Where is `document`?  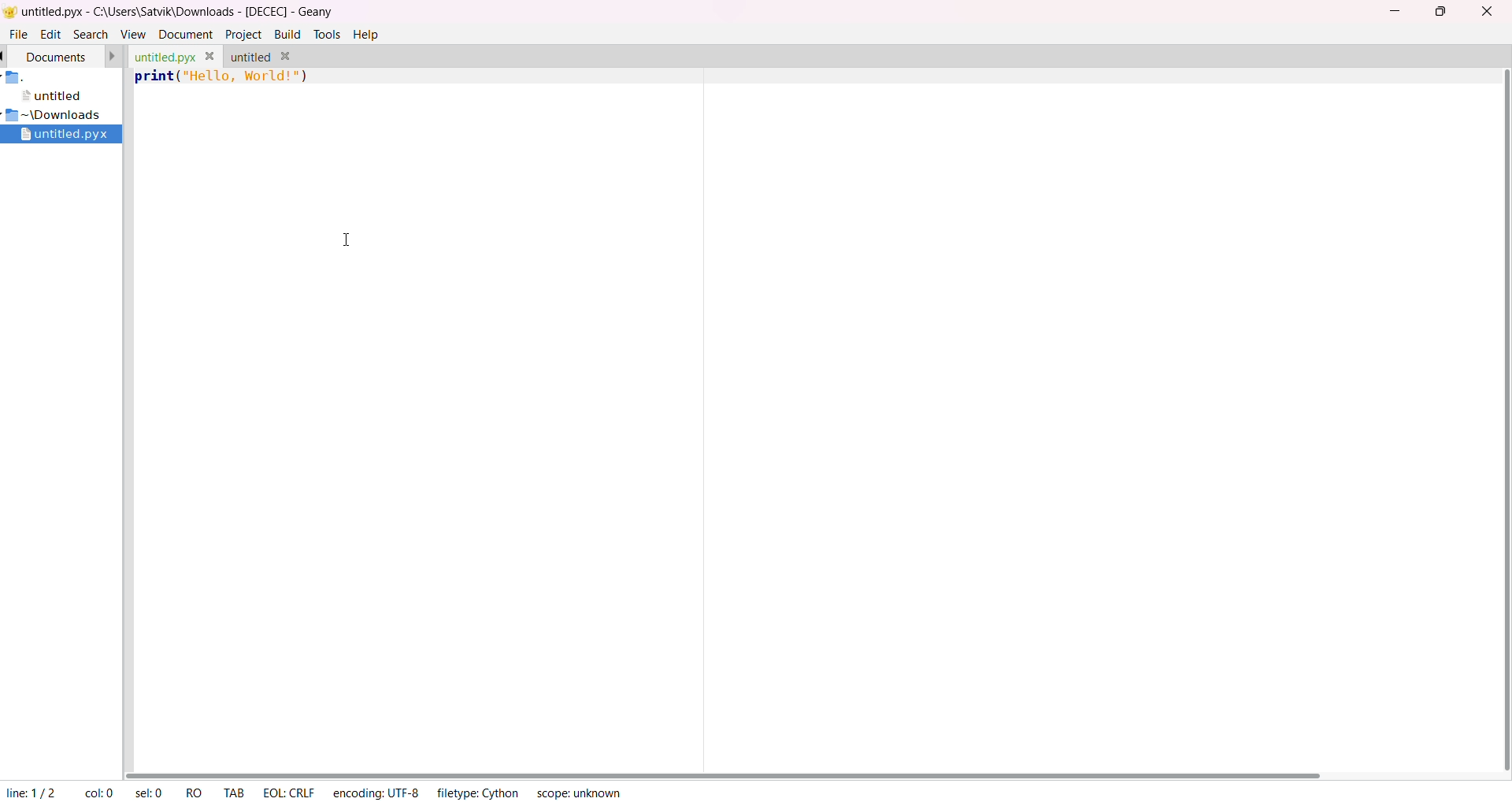
document is located at coordinates (184, 35).